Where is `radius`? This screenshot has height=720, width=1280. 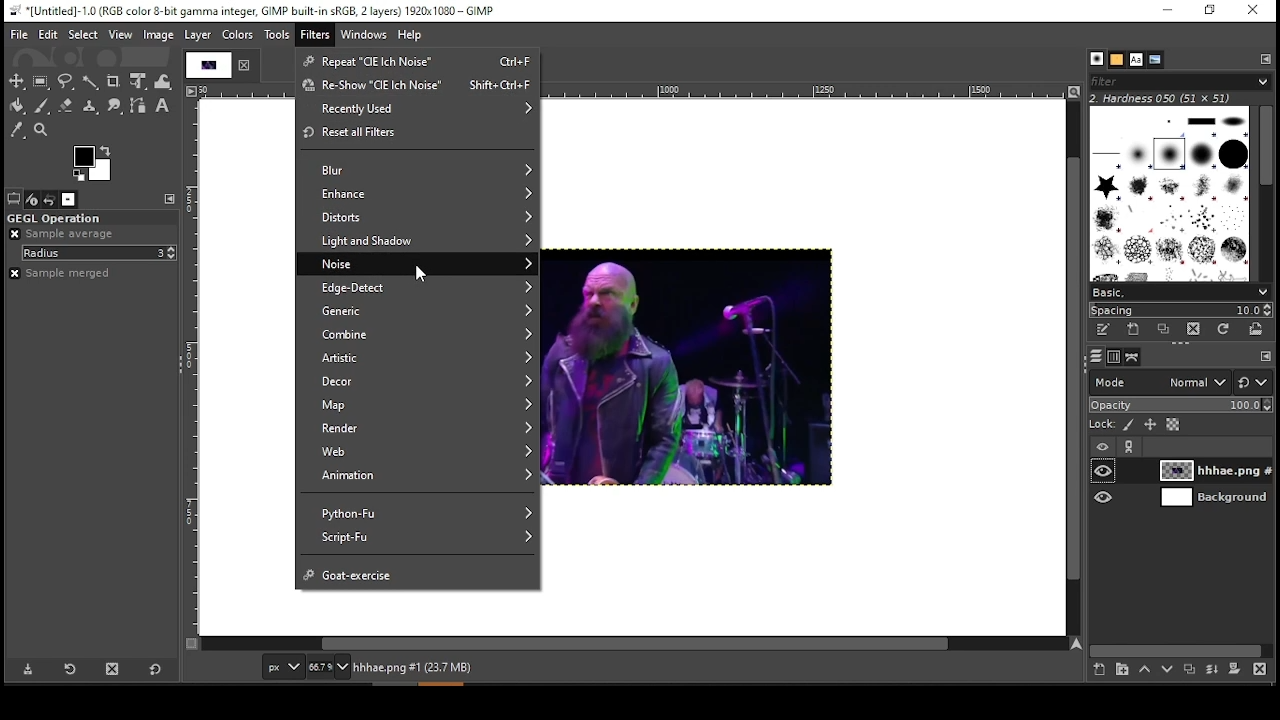
radius is located at coordinates (99, 253).